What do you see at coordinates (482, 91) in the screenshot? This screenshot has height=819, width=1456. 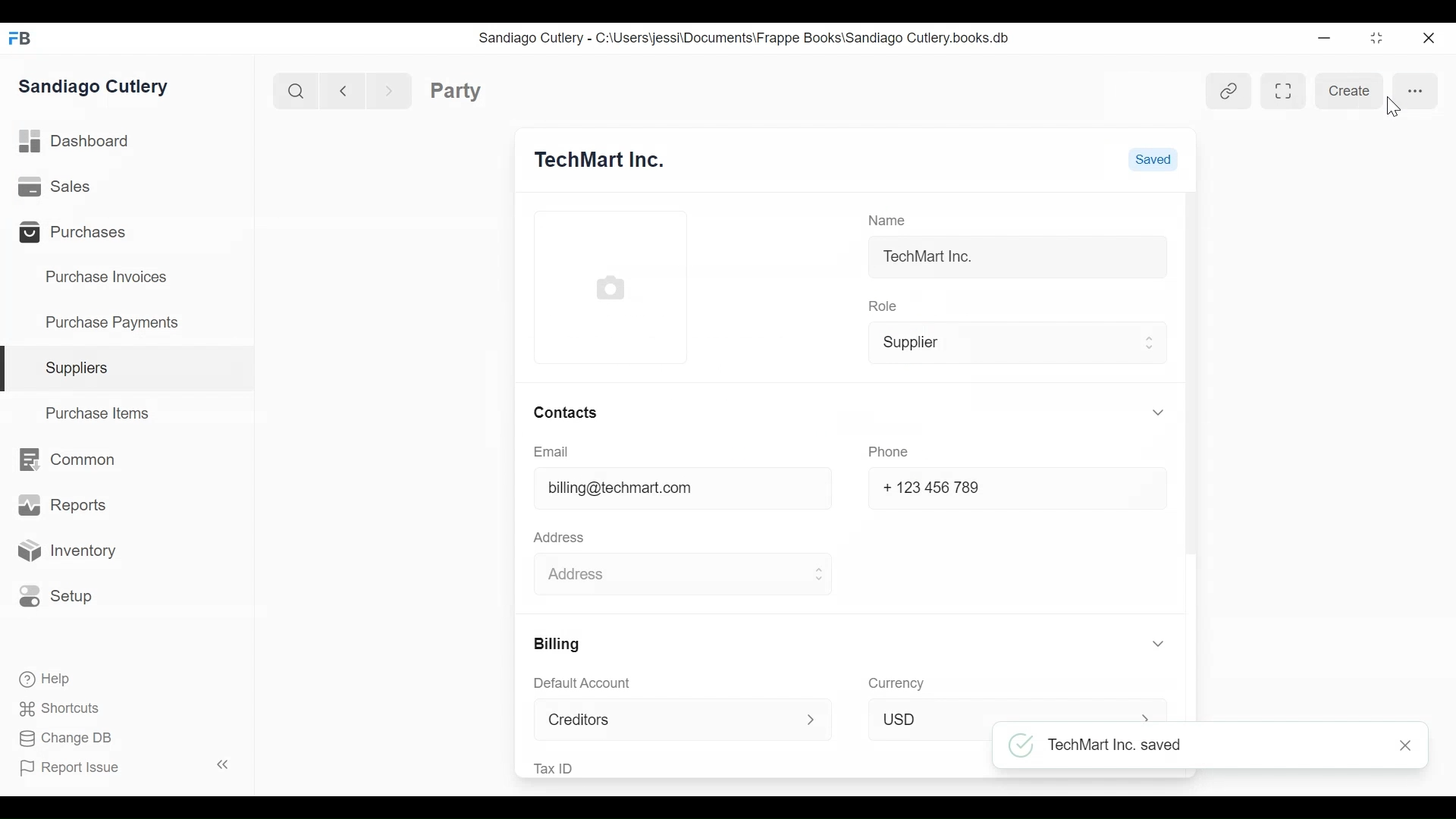 I see `Party` at bounding box center [482, 91].